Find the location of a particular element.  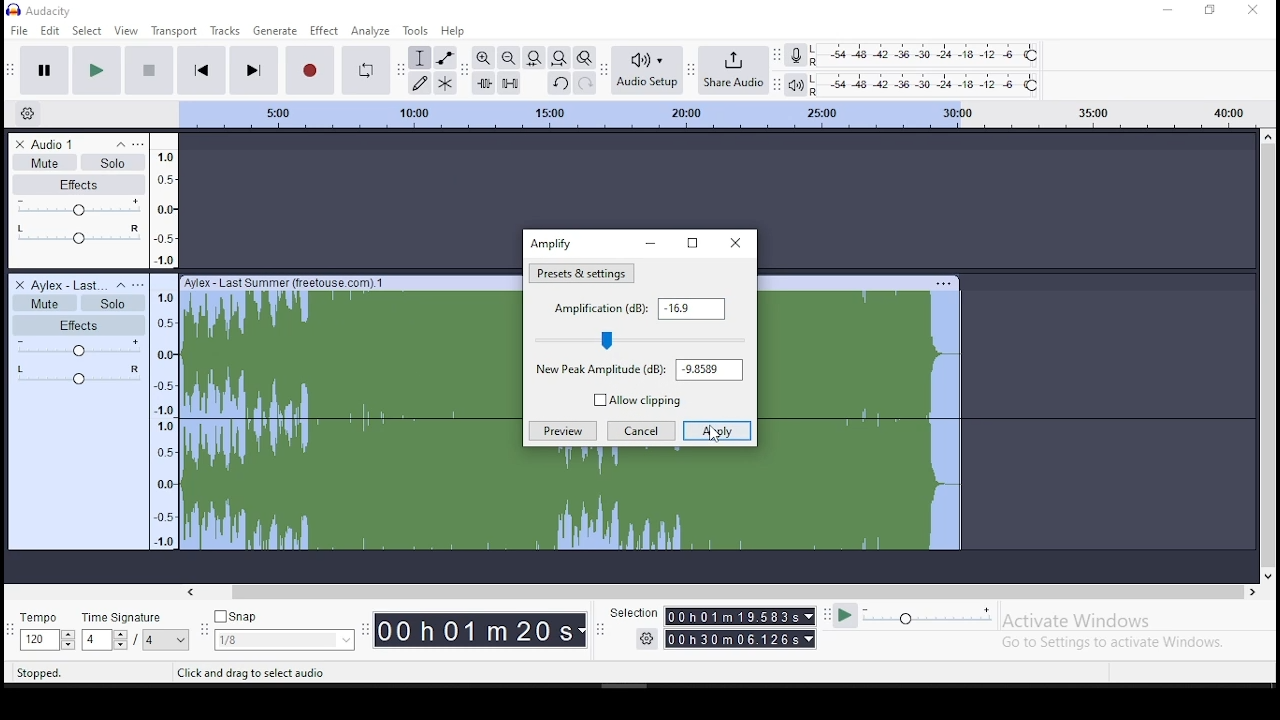

delete track is located at coordinates (21, 143).